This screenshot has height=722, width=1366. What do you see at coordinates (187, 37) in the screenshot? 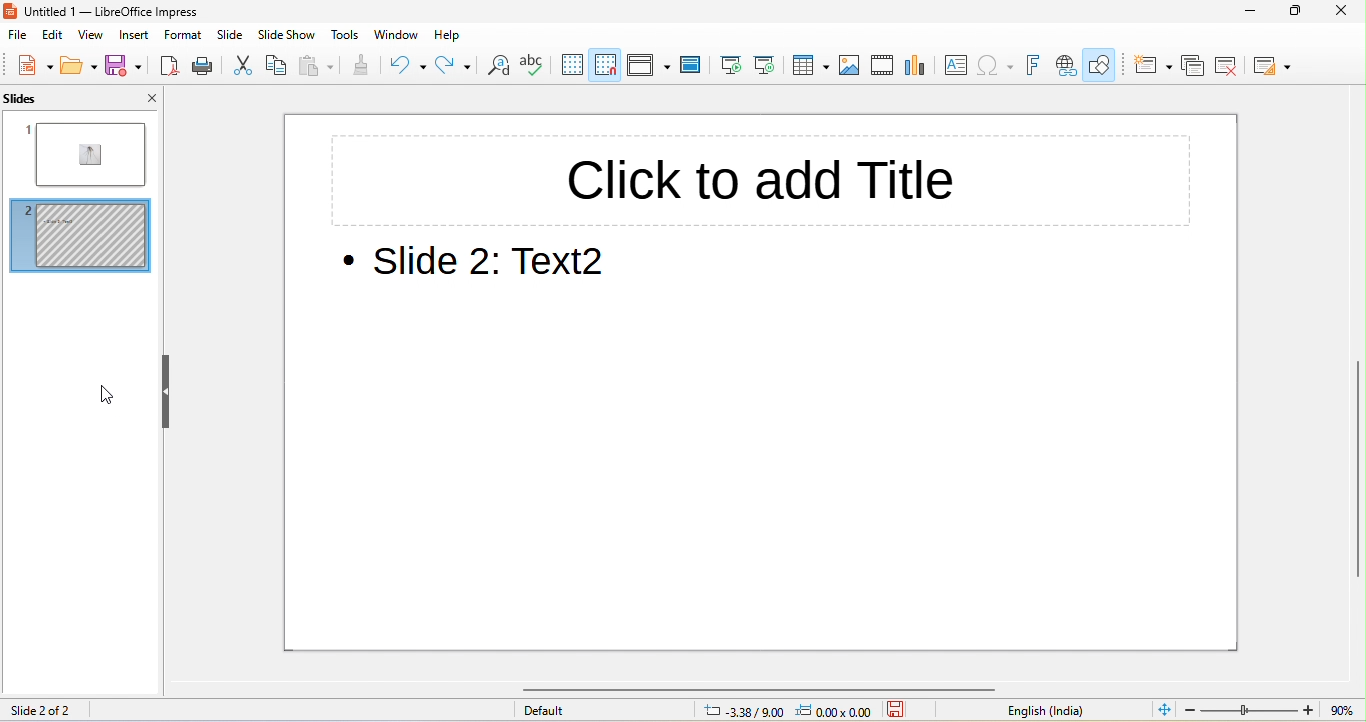
I see `format` at bounding box center [187, 37].